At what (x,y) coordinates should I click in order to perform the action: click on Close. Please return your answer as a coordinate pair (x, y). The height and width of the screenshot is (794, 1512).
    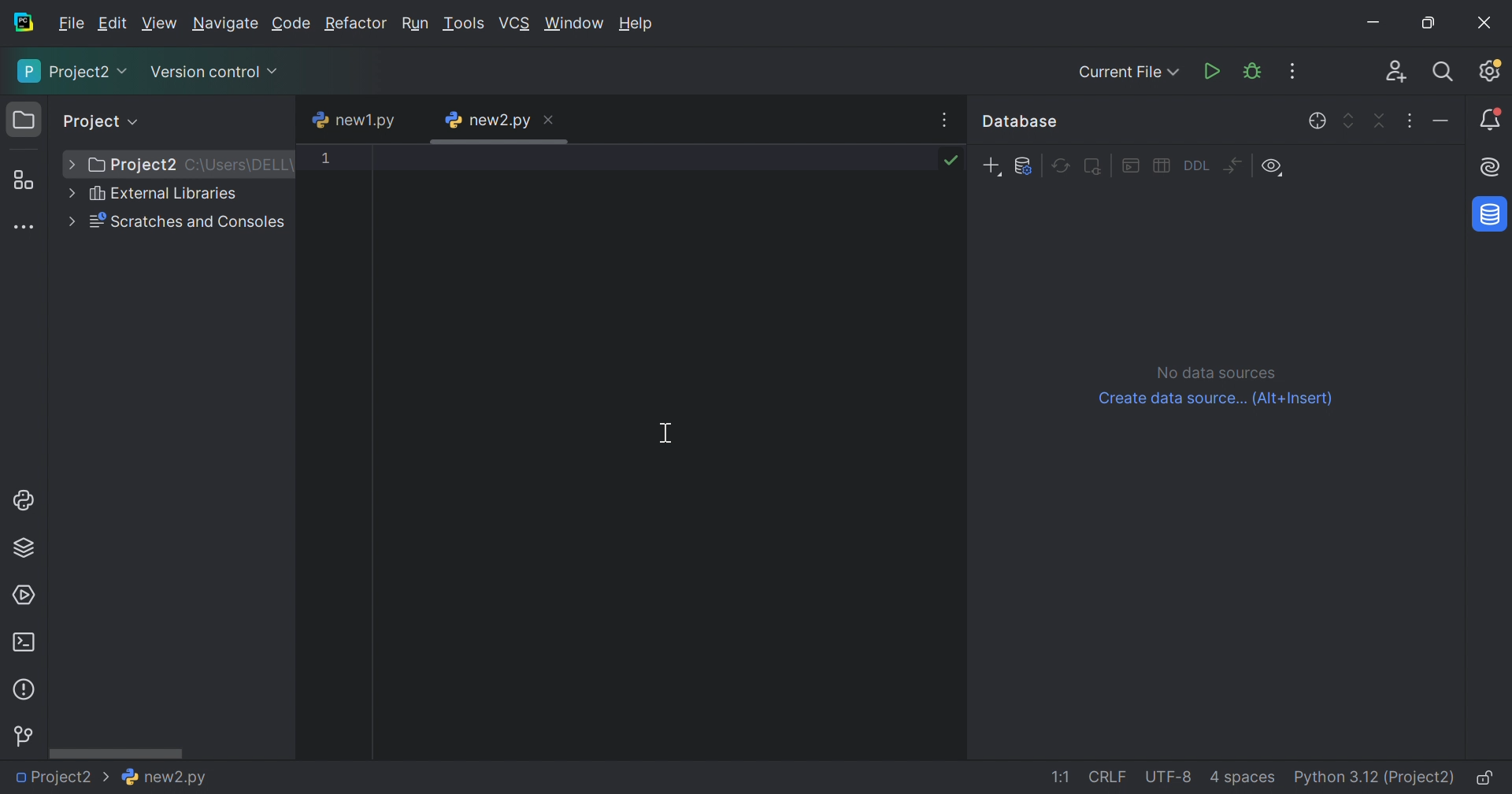
    Looking at the image, I should click on (552, 121).